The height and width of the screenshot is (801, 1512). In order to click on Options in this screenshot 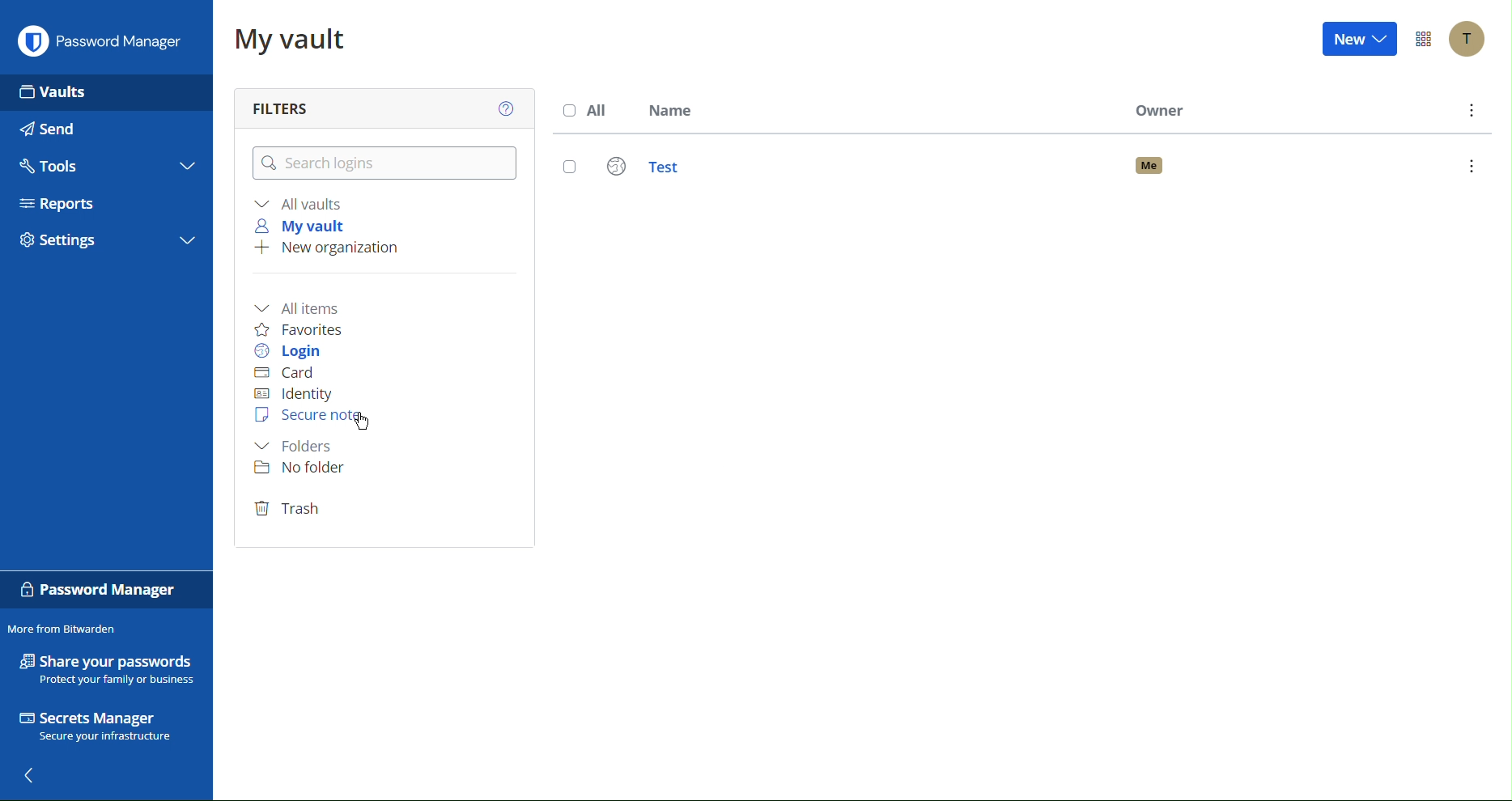, I will do `click(1421, 40)`.